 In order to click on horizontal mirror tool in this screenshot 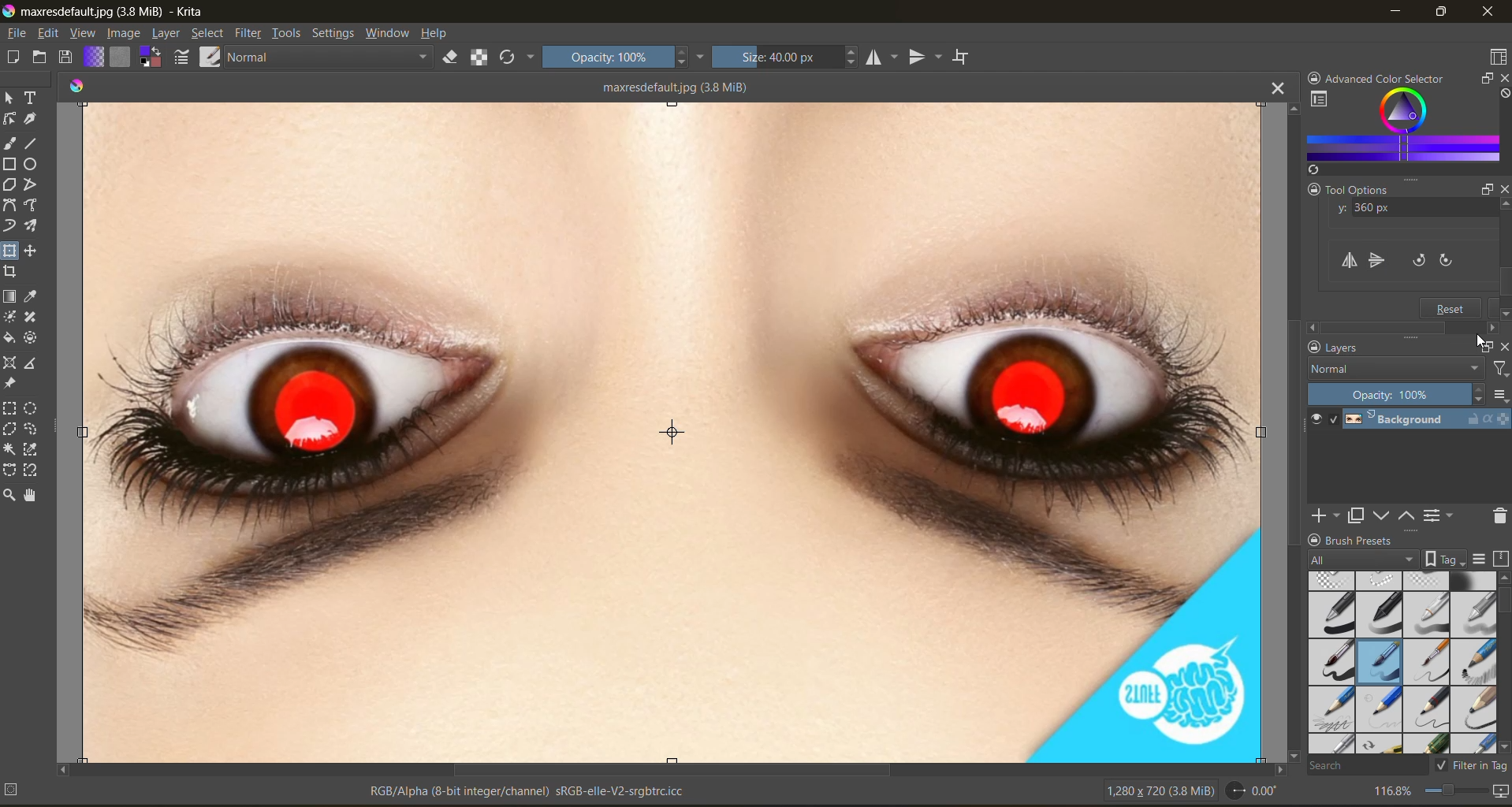, I will do `click(885, 58)`.